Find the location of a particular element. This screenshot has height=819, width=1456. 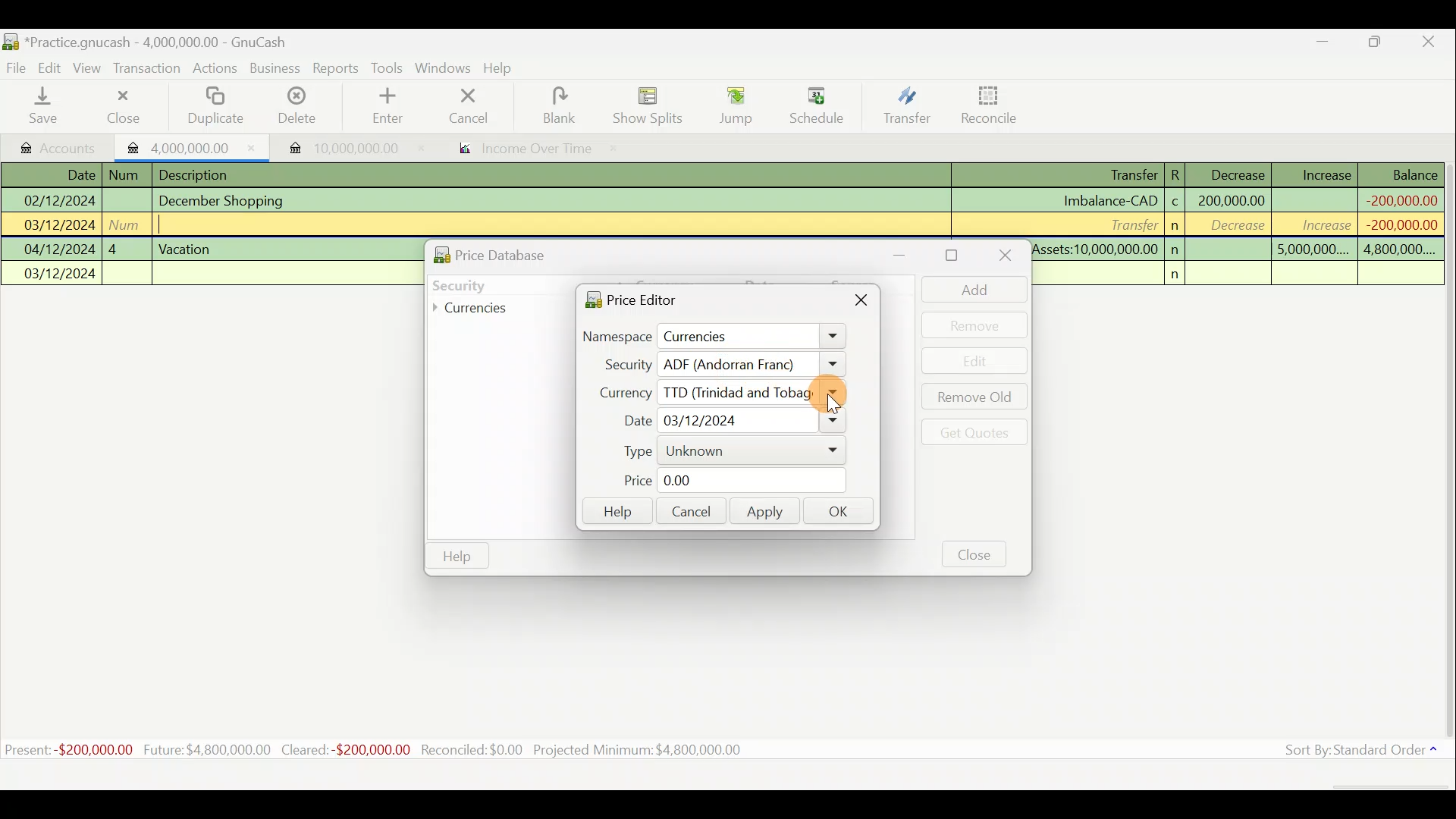

R is located at coordinates (1180, 174).